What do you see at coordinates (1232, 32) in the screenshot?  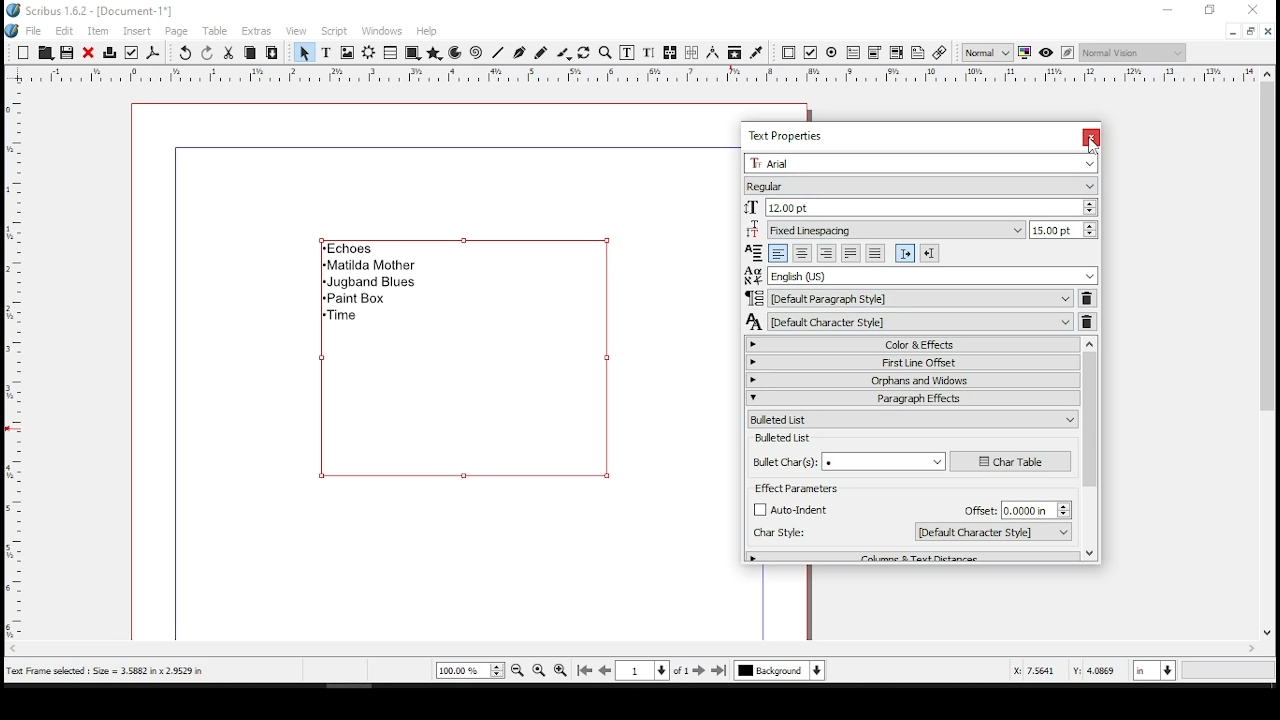 I see `minimize` at bounding box center [1232, 32].